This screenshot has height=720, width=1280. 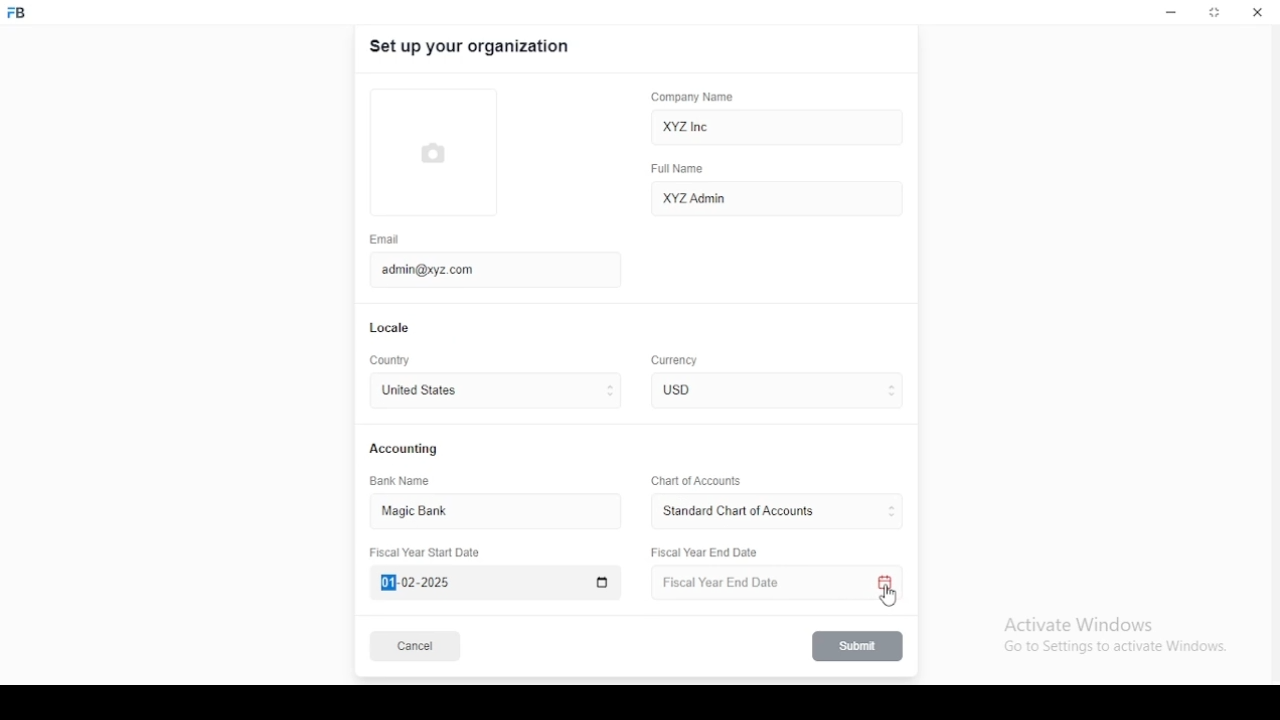 I want to click on Fiscal Year Start Date, so click(x=432, y=553).